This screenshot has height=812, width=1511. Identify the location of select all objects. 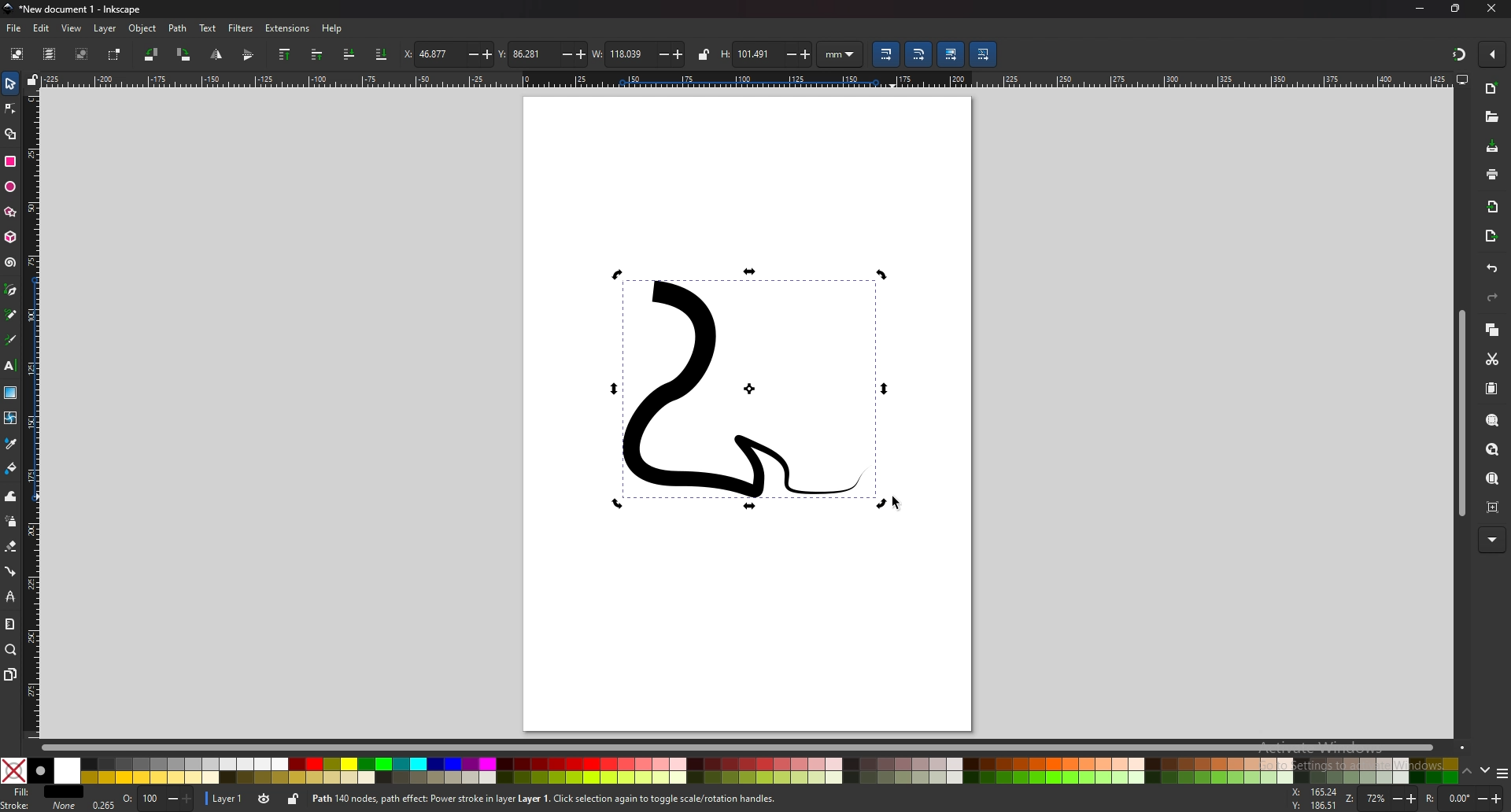
(17, 53).